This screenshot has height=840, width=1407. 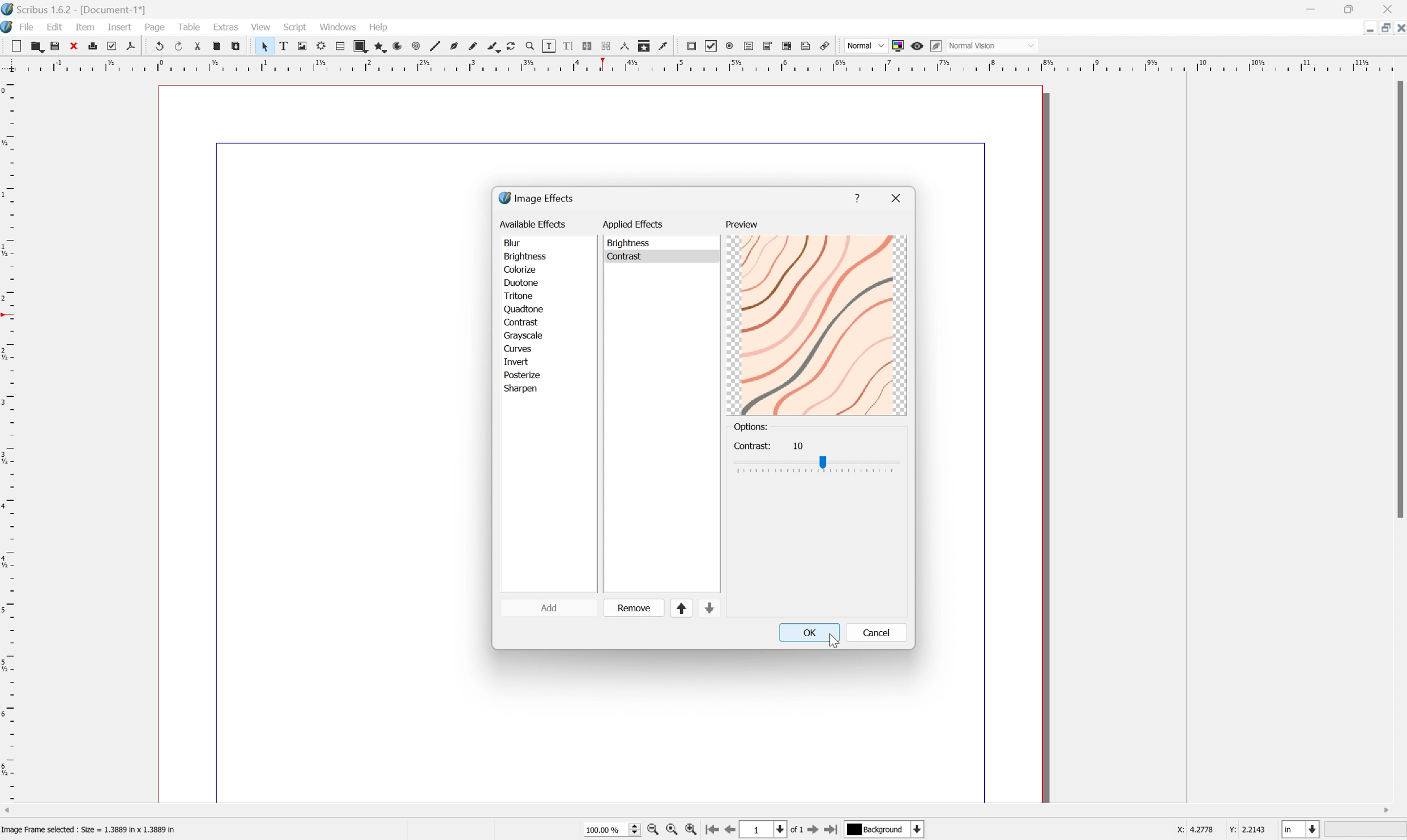 I want to click on View, so click(x=261, y=27).